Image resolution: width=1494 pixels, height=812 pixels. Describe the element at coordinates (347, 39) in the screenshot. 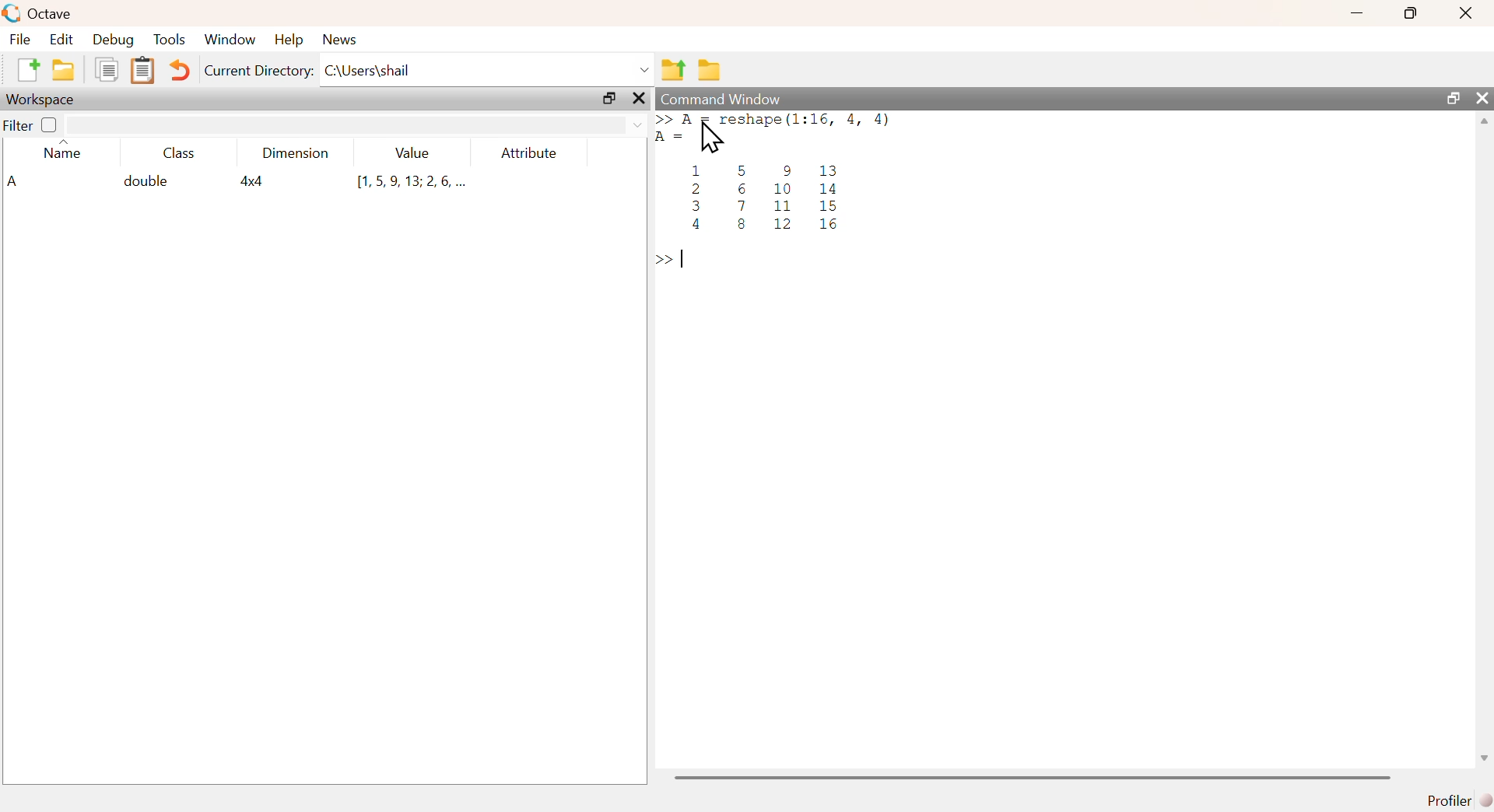

I see `news` at that location.